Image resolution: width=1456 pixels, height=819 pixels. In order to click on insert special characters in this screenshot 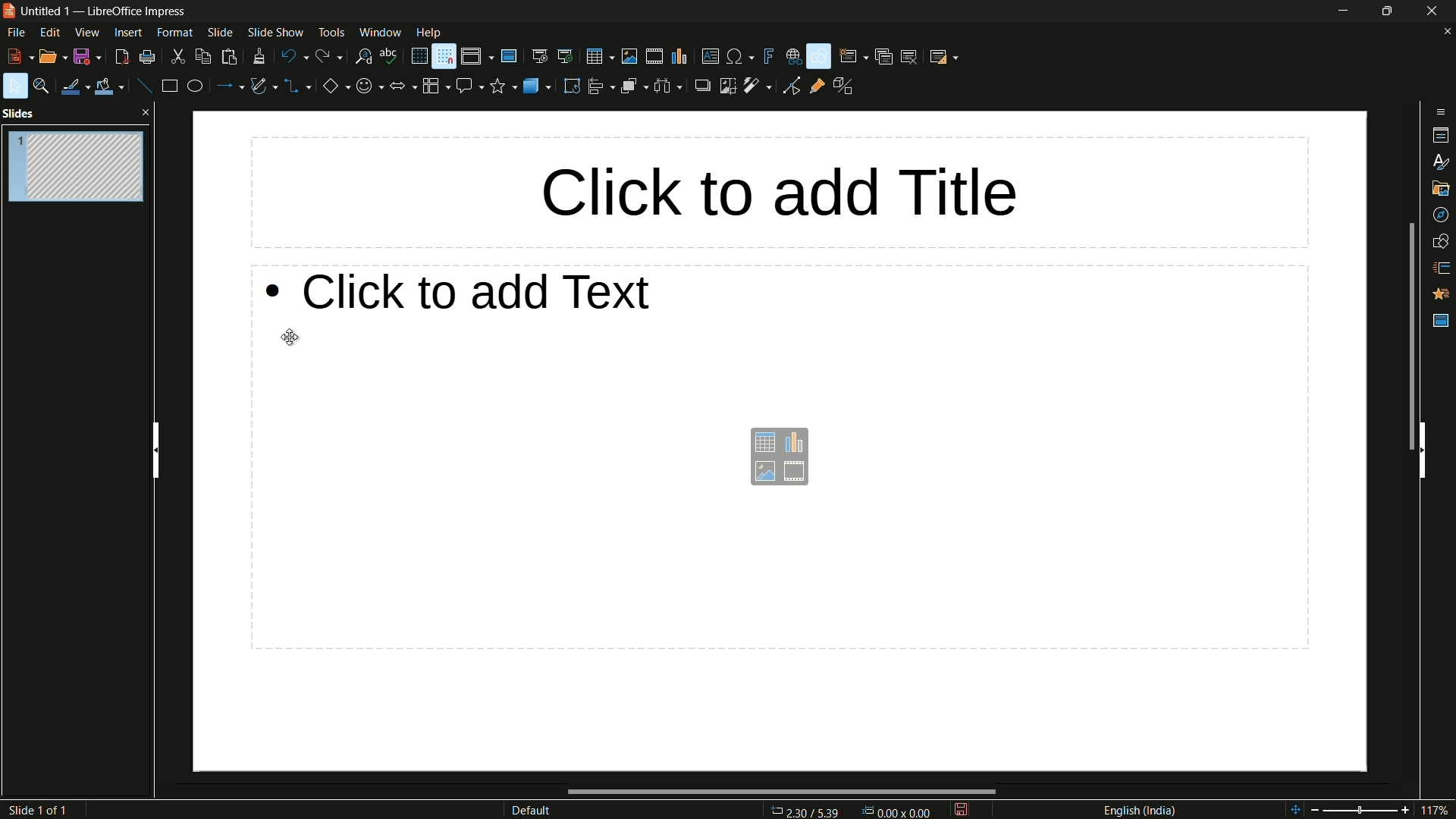, I will do `click(740, 56)`.